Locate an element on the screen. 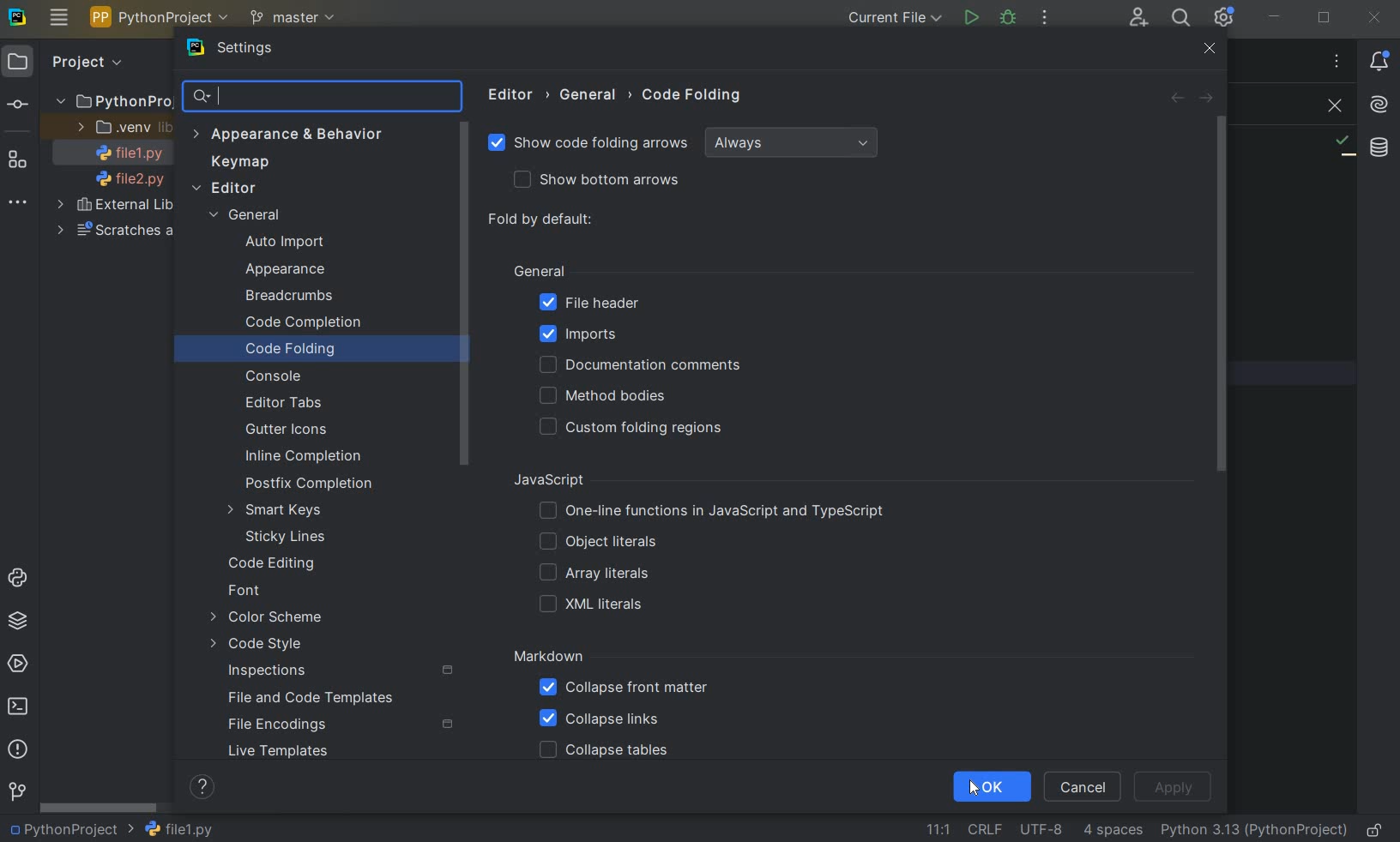 The height and width of the screenshot is (842, 1400). CURRENT INTERPRETER is located at coordinates (1253, 831).